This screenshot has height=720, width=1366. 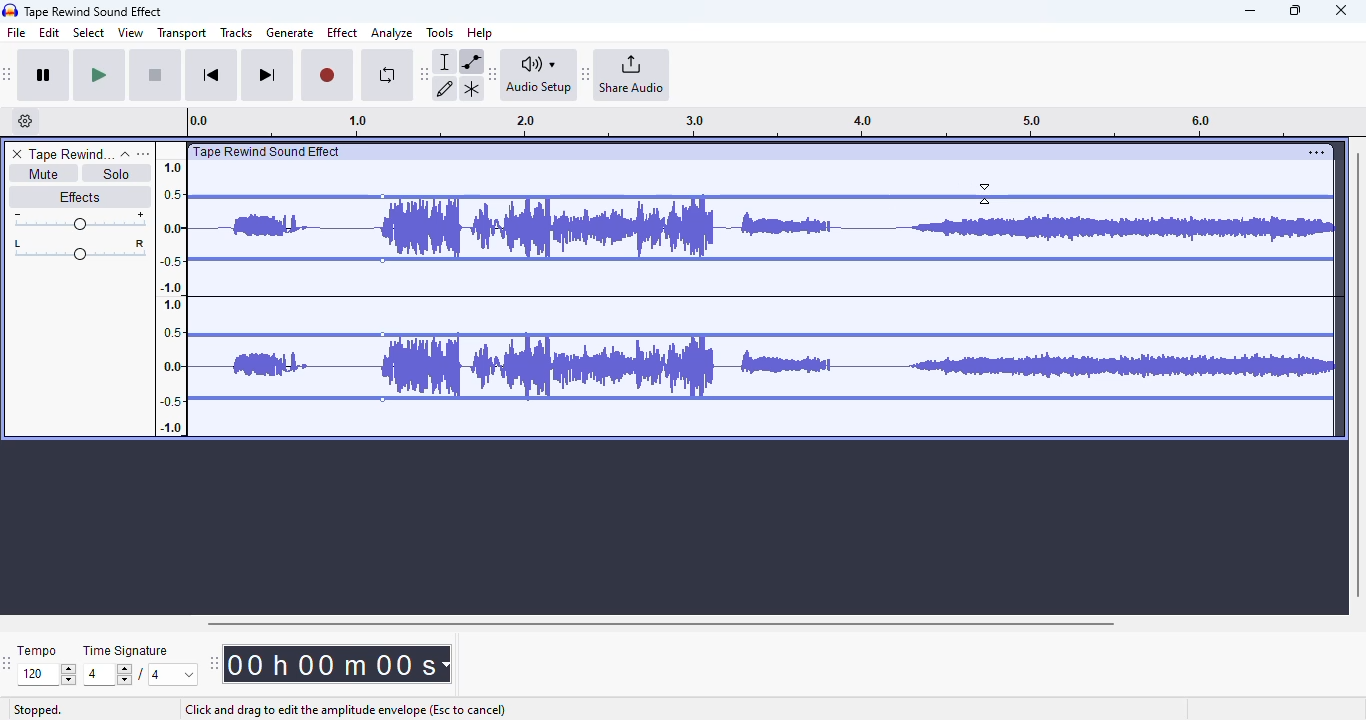 I want to click on edit, so click(x=50, y=33).